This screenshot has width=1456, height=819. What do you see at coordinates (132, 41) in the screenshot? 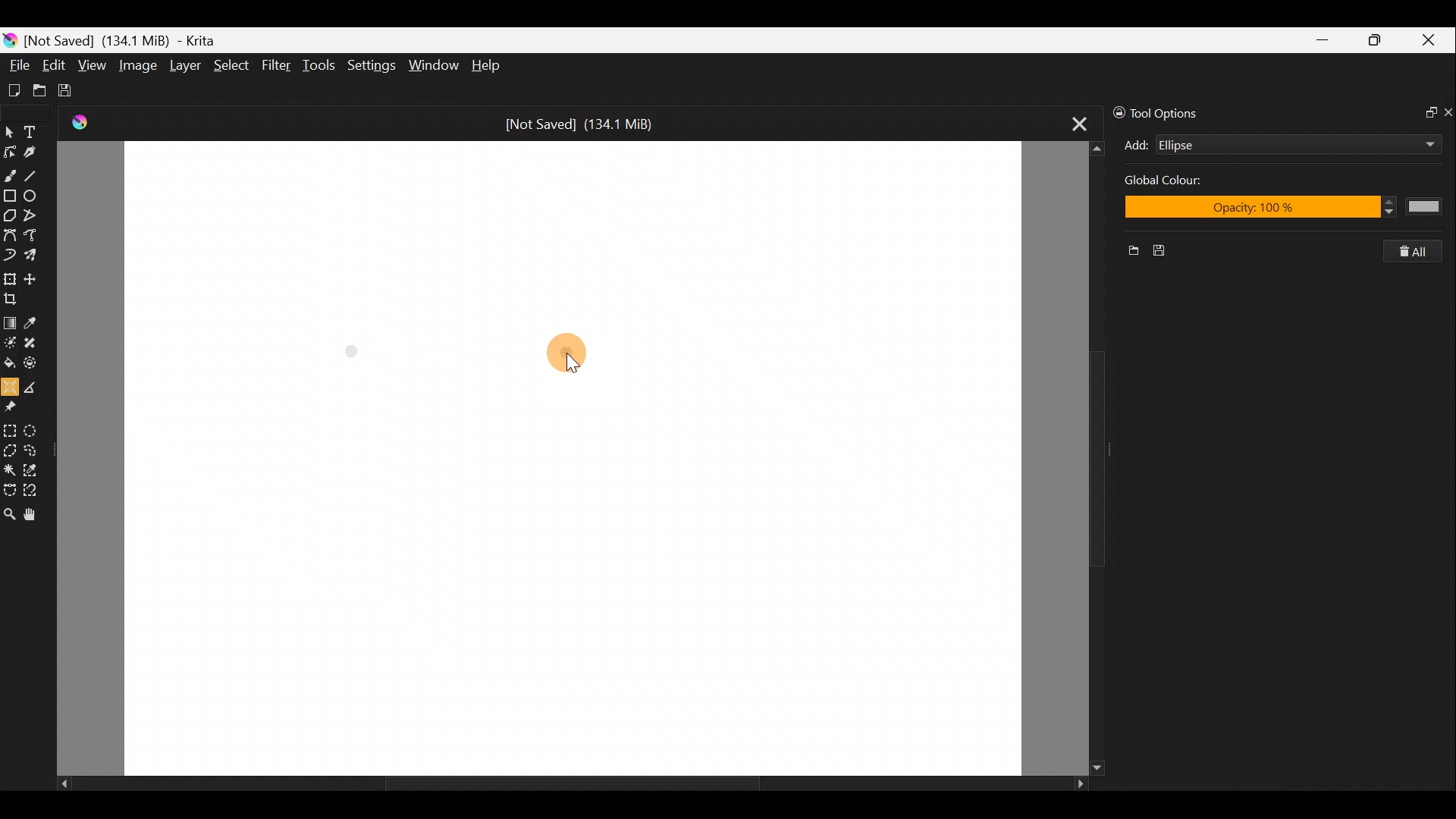
I see `[Not Saved] (134.1 MiB) - Krita` at bounding box center [132, 41].